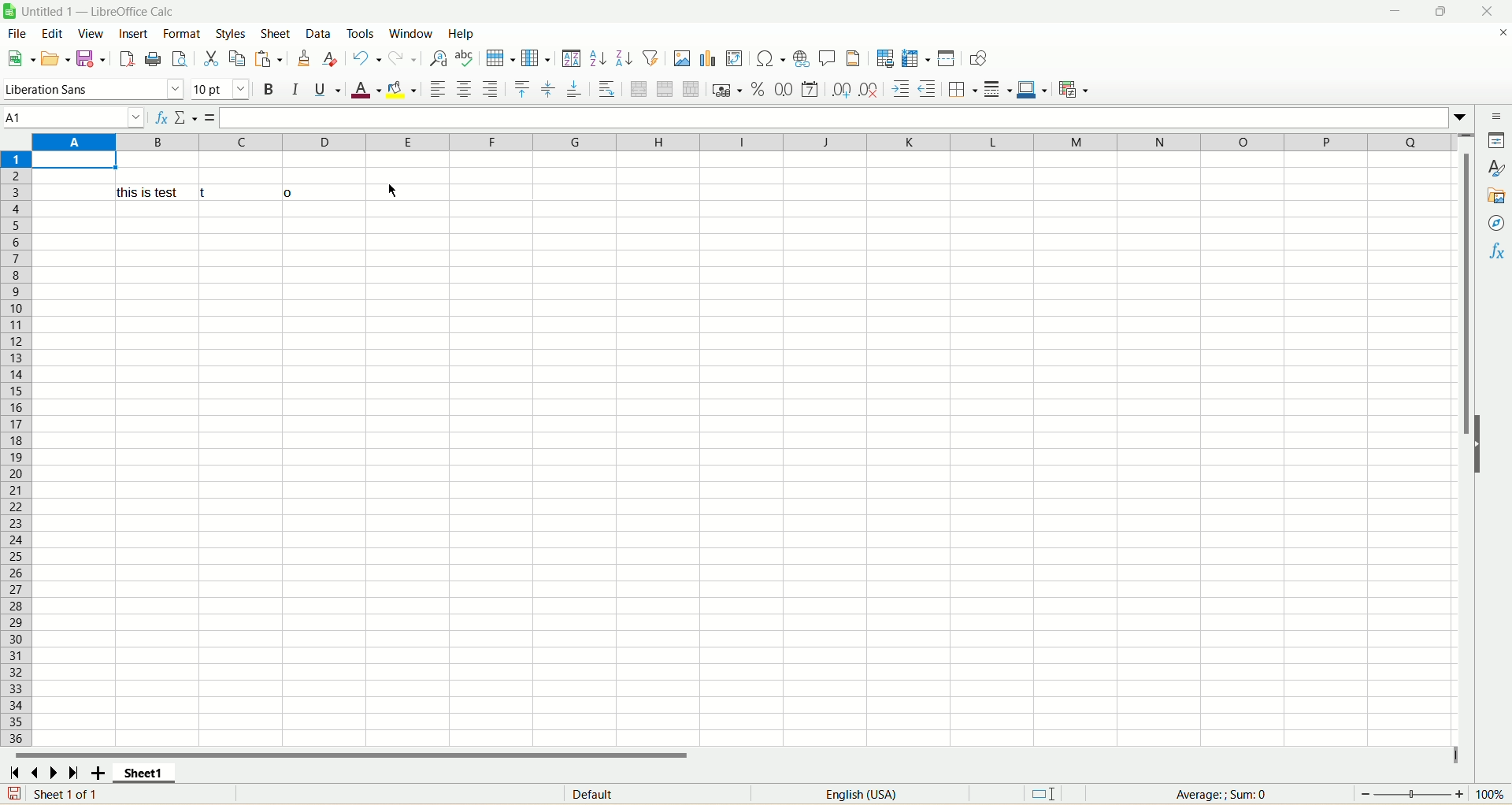  What do you see at coordinates (9, 12) in the screenshot?
I see `logo` at bounding box center [9, 12].